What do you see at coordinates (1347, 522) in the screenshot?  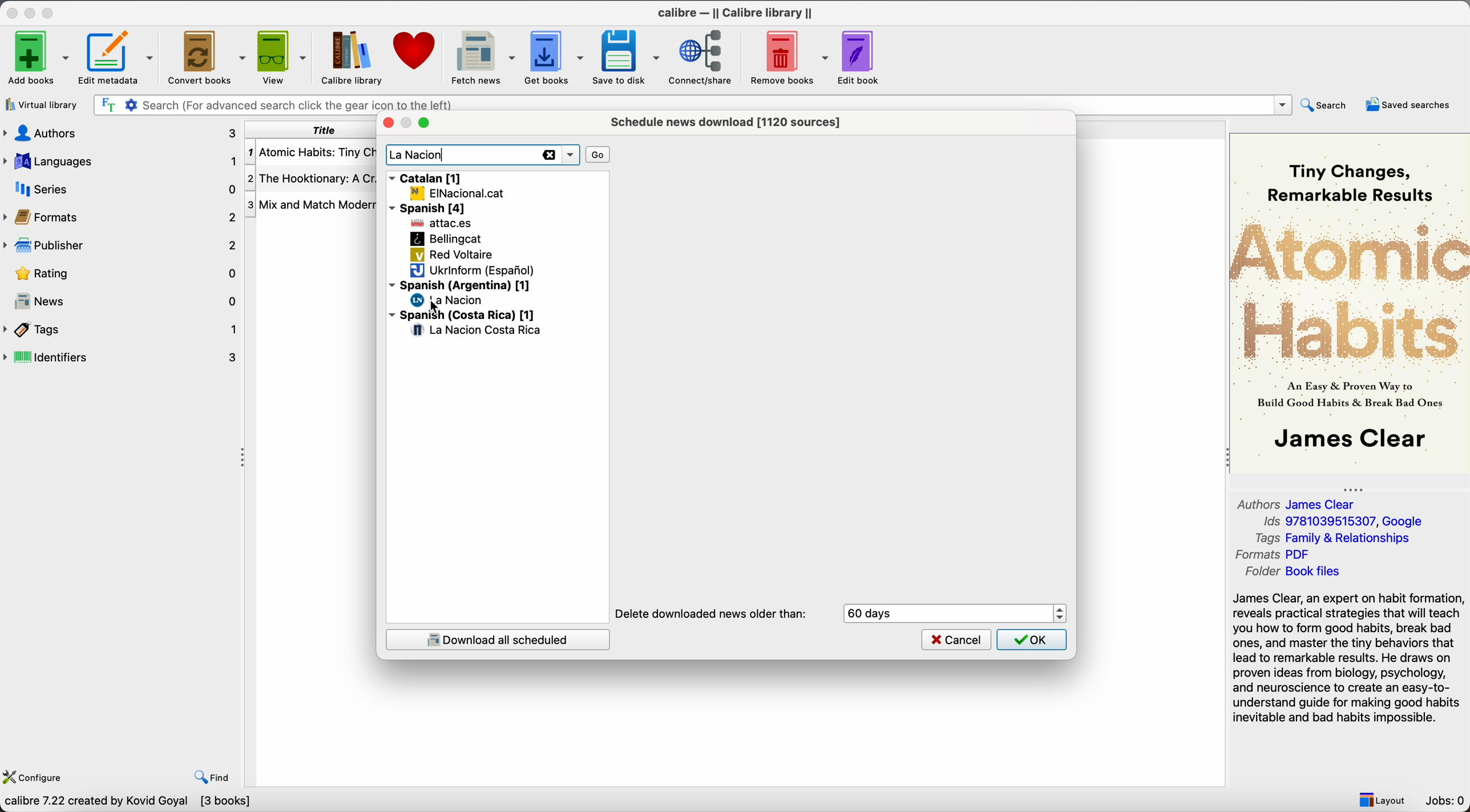 I see `Ids 9781039515307, Google` at bounding box center [1347, 522].